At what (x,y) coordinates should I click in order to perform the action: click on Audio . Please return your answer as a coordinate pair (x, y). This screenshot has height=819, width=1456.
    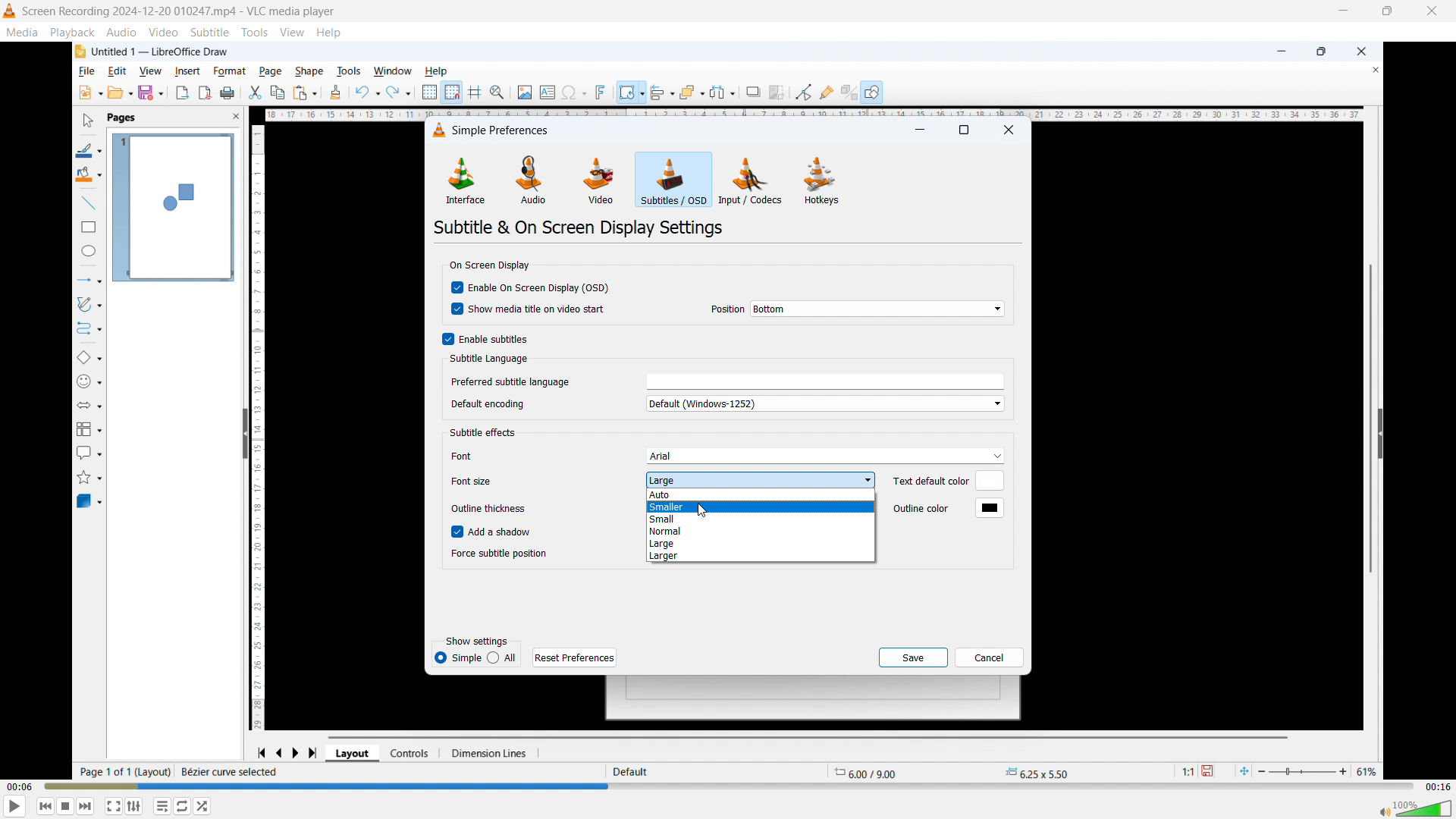
    Looking at the image, I should click on (121, 33).